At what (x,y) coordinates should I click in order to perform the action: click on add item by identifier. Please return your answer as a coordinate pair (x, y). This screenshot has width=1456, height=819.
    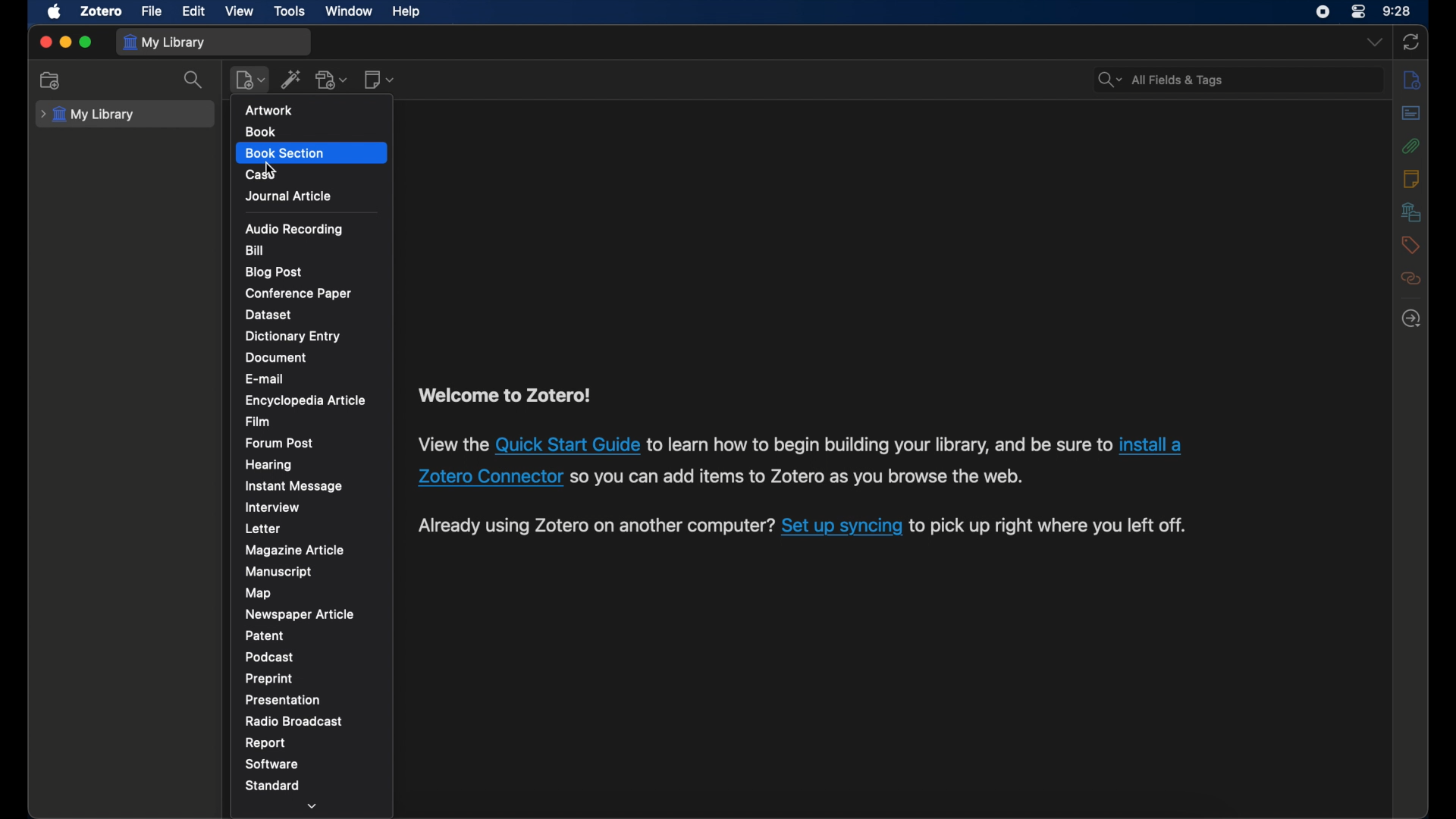
    Looking at the image, I should click on (290, 79).